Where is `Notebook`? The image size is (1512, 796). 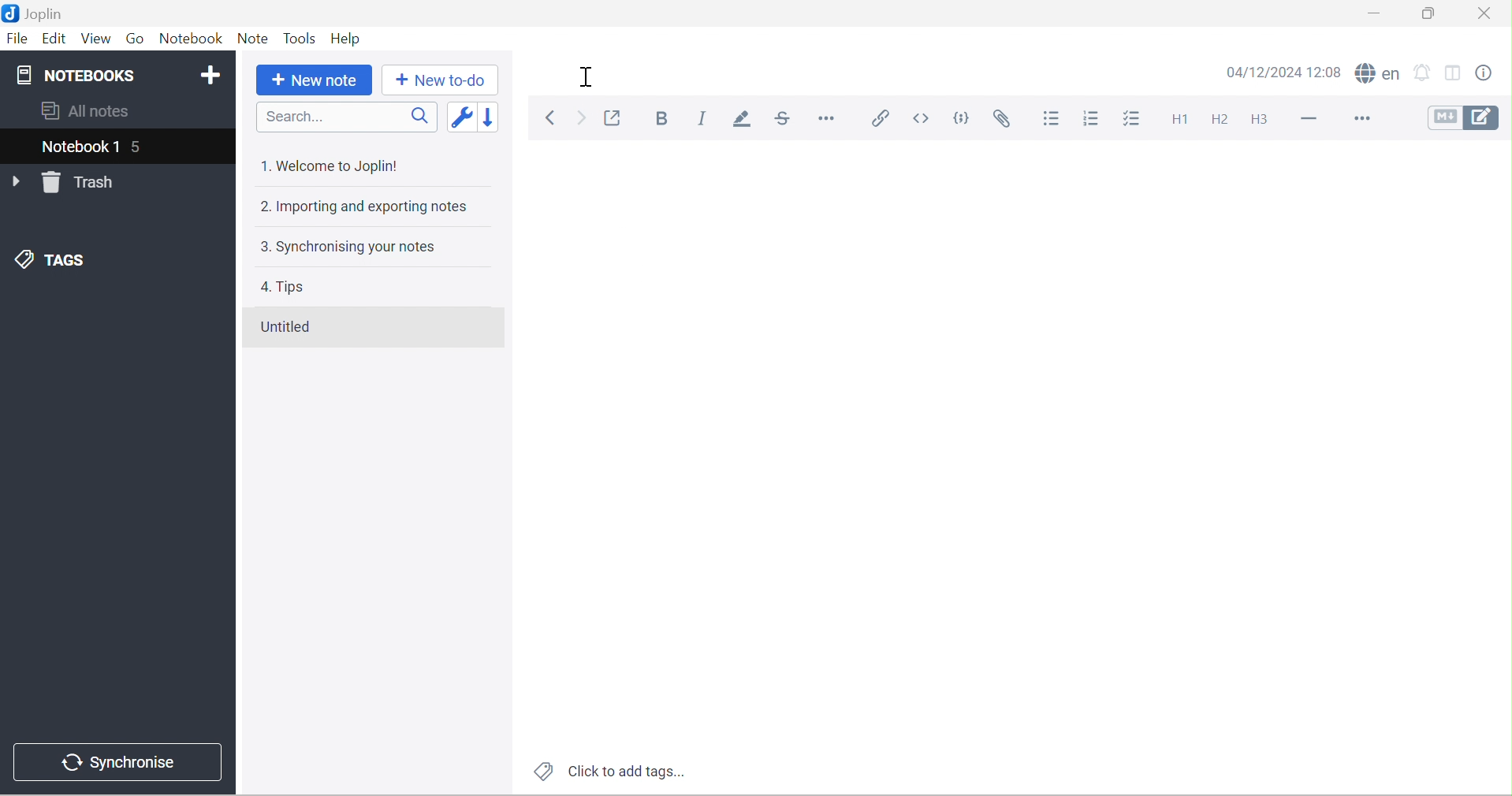
Notebook is located at coordinates (193, 40).